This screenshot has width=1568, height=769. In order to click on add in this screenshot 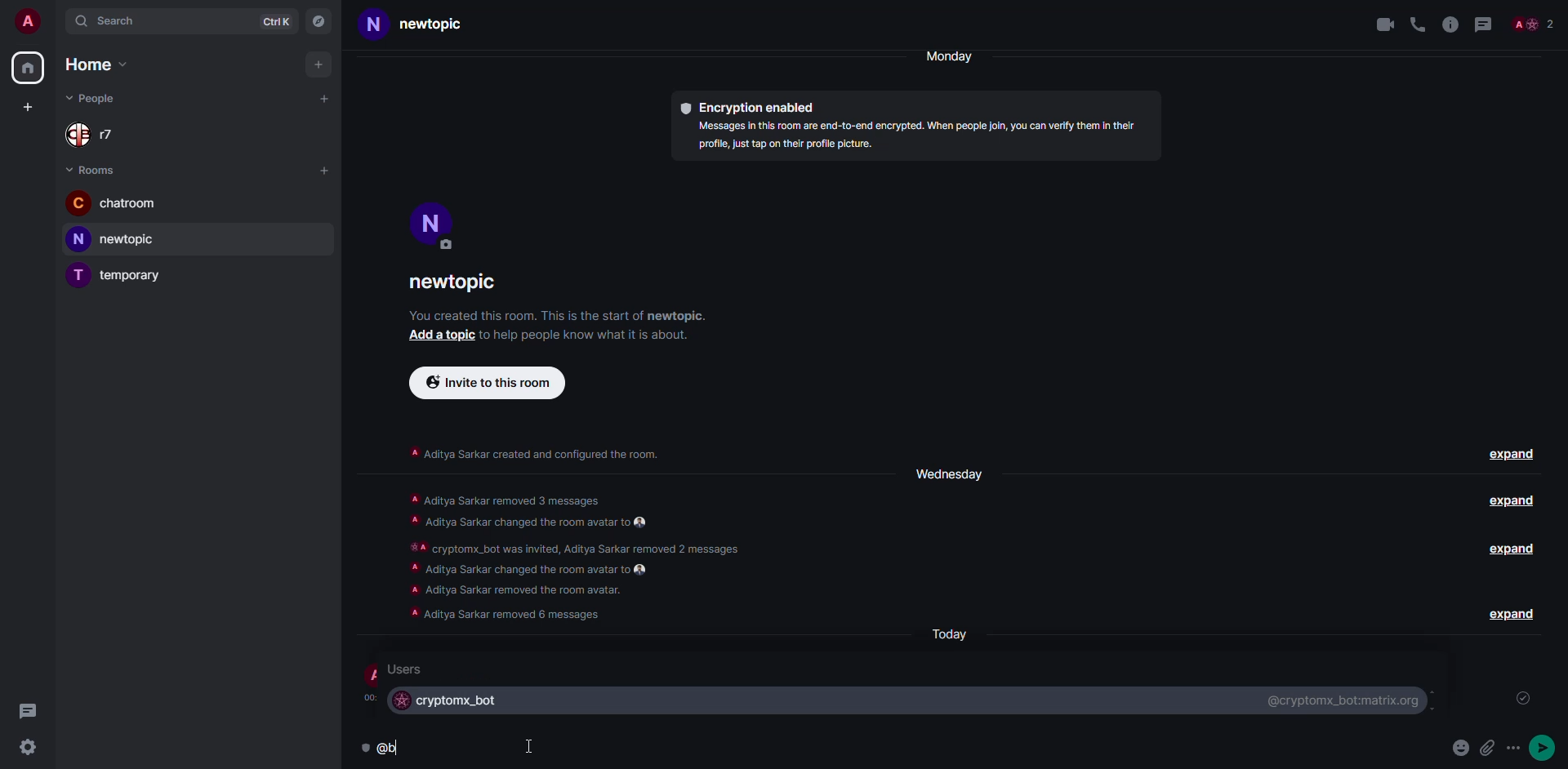, I will do `click(25, 109)`.